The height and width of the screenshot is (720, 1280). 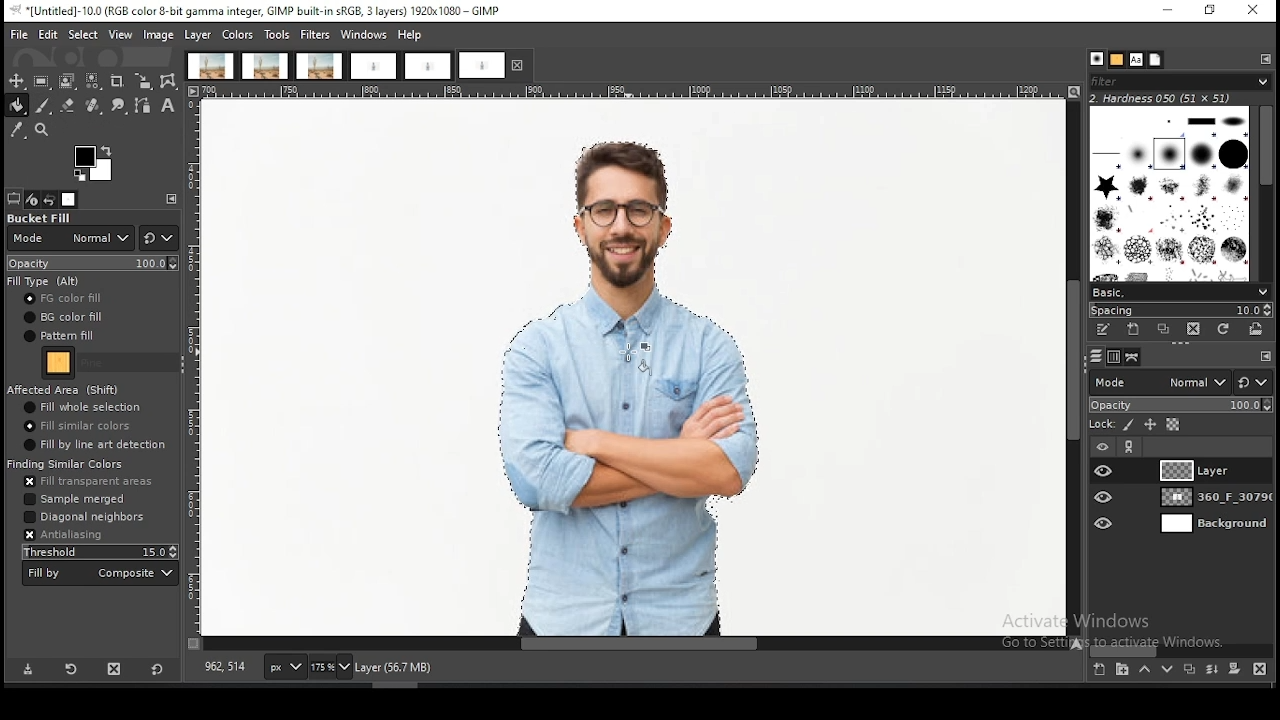 What do you see at coordinates (373, 67) in the screenshot?
I see `project tab` at bounding box center [373, 67].